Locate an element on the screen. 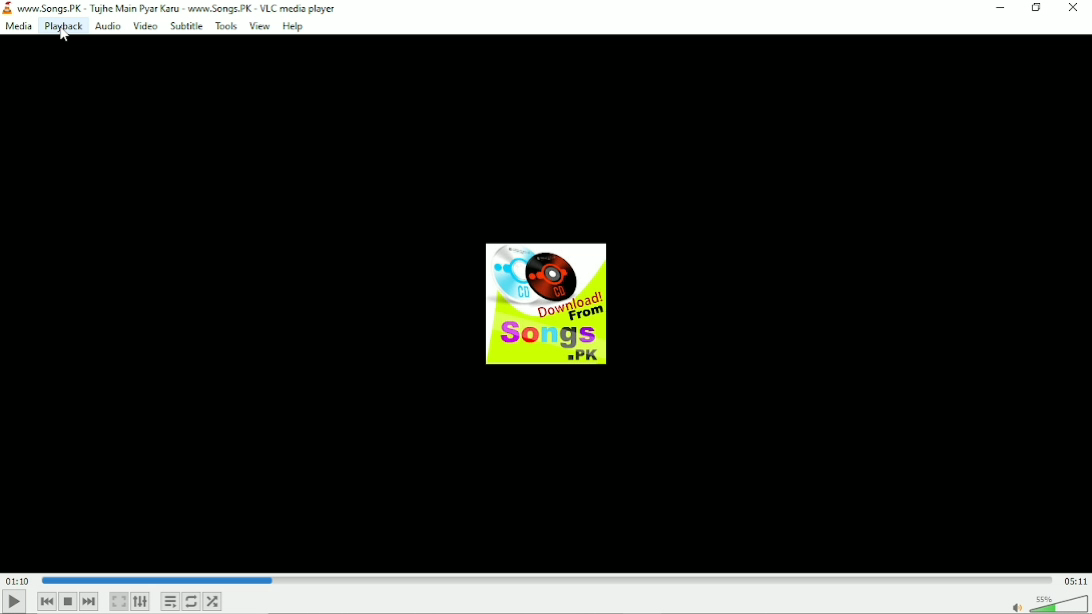 The image size is (1092, 614). Previous is located at coordinates (47, 601).